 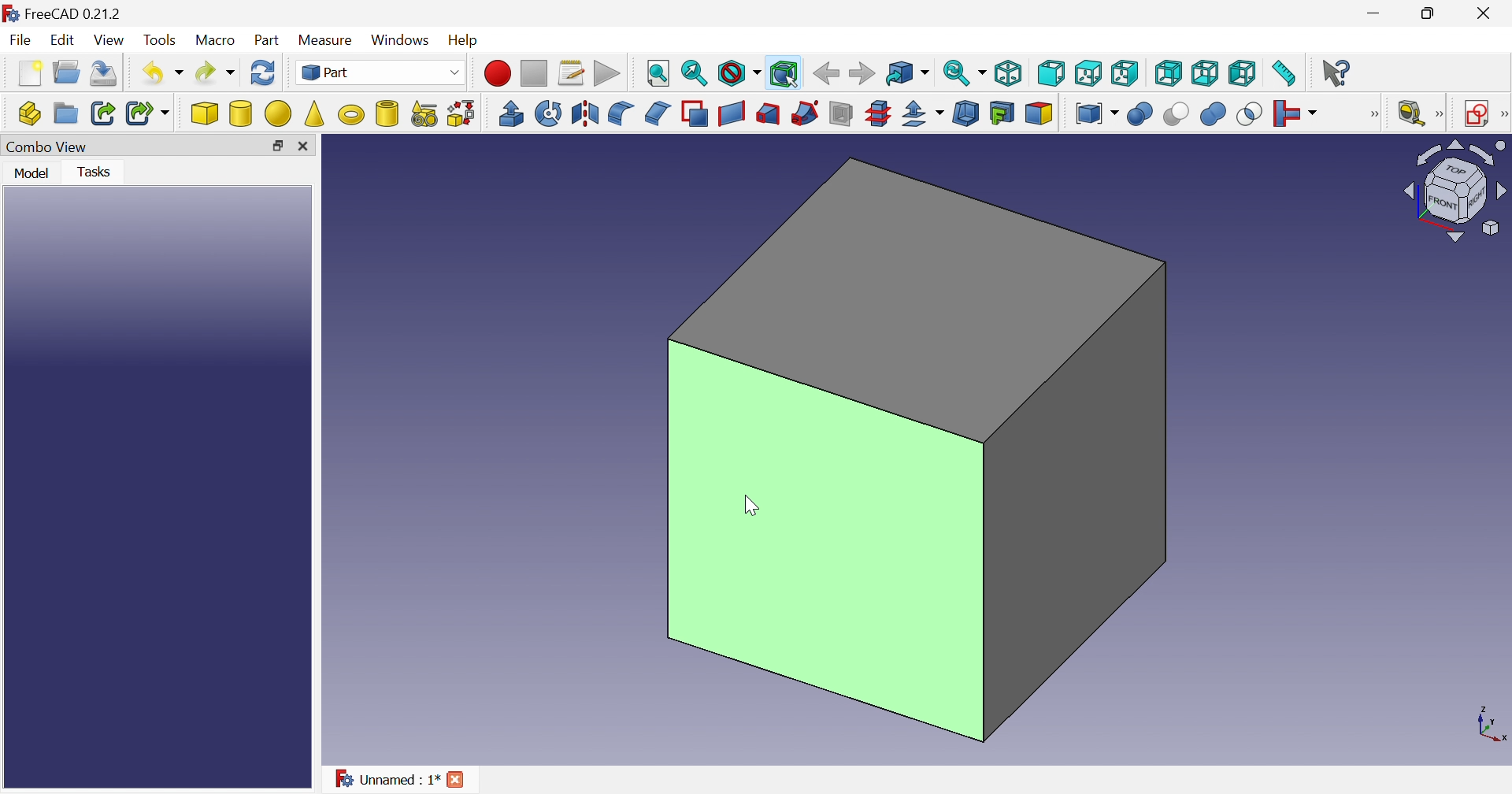 I want to click on Measure distance, so click(x=1285, y=74).